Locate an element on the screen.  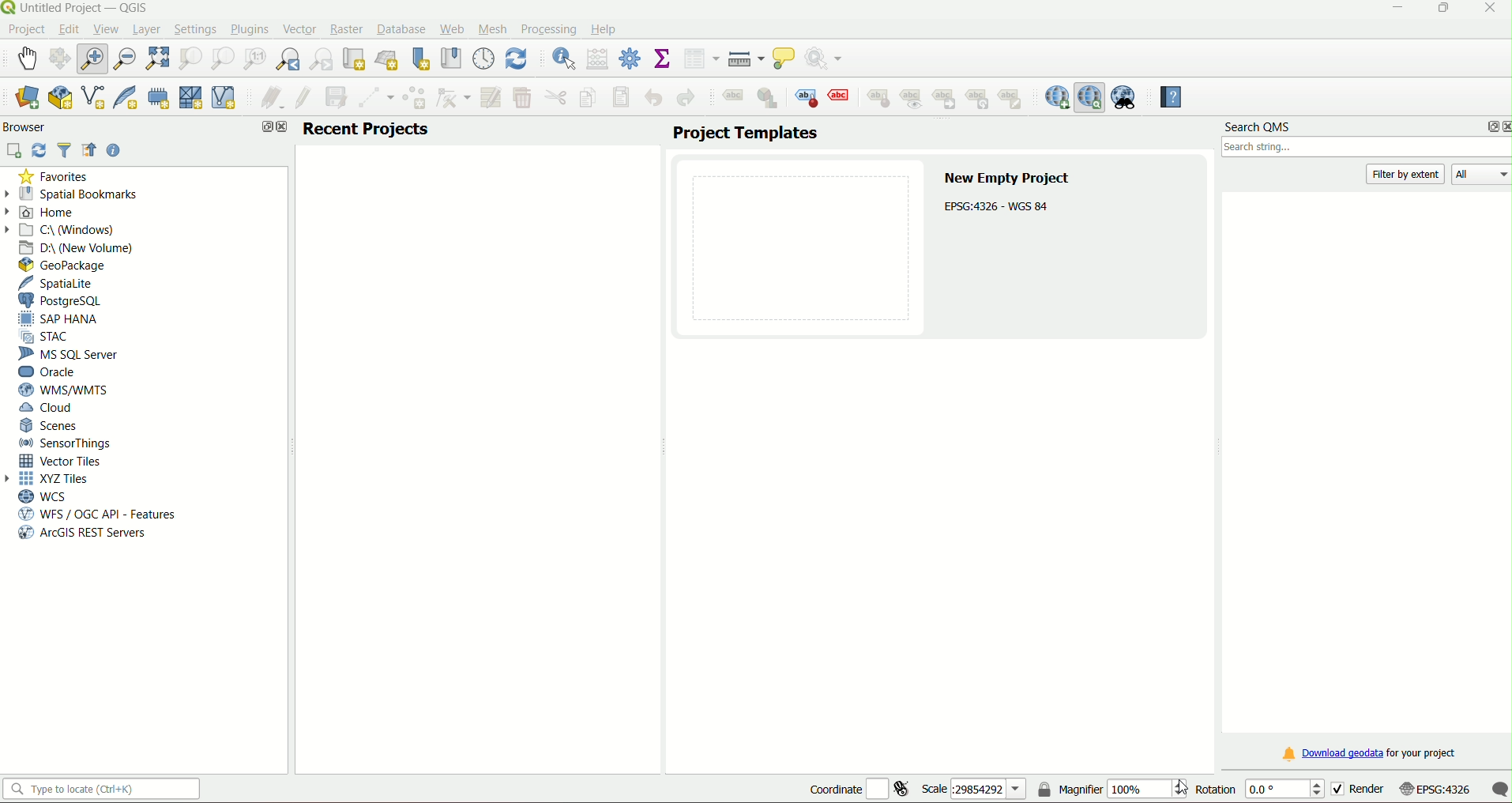
current edit is located at coordinates (268, 99).